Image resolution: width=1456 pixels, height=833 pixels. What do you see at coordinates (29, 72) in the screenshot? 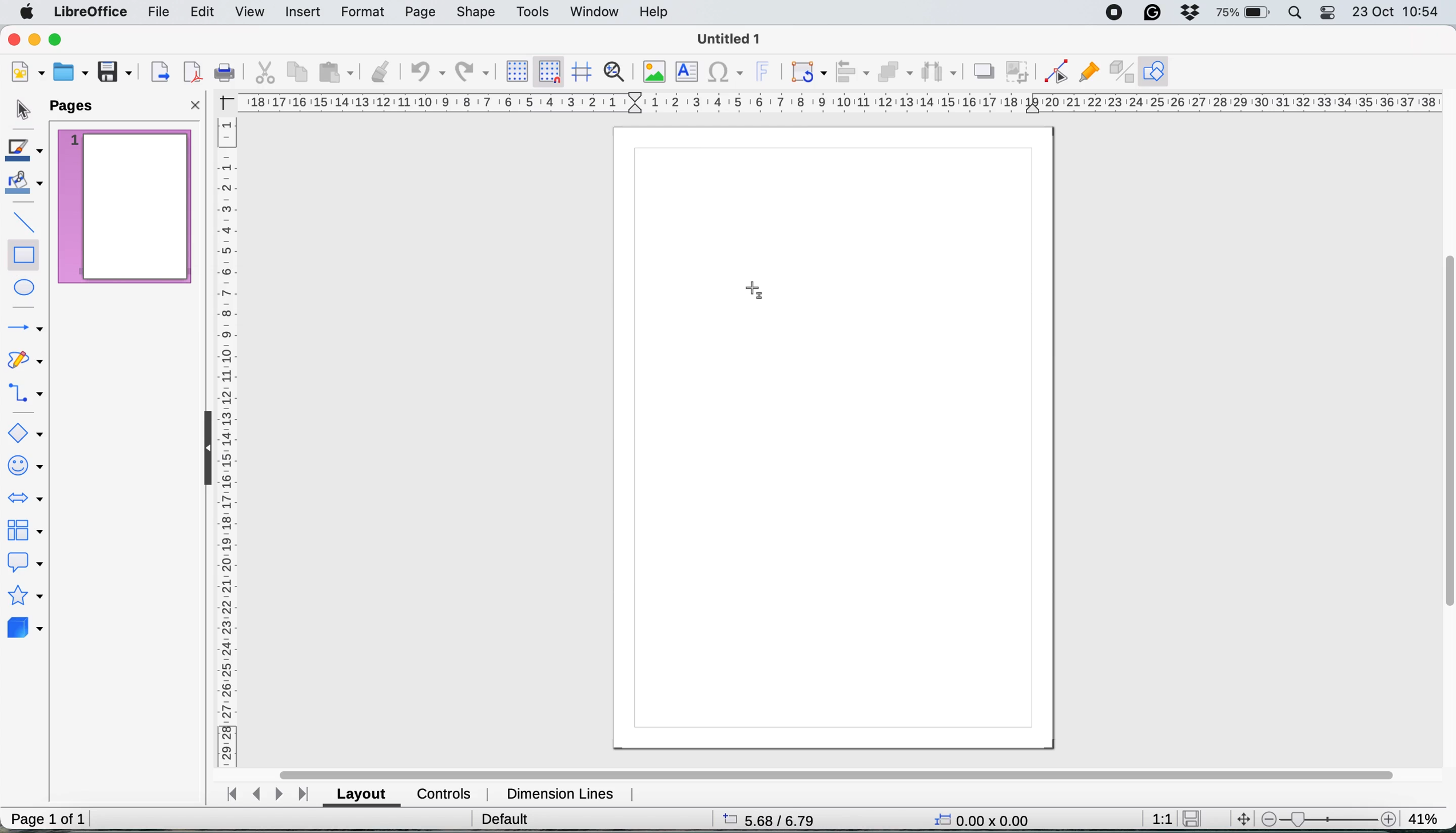
I see `new` at bounding box center [29, 72].